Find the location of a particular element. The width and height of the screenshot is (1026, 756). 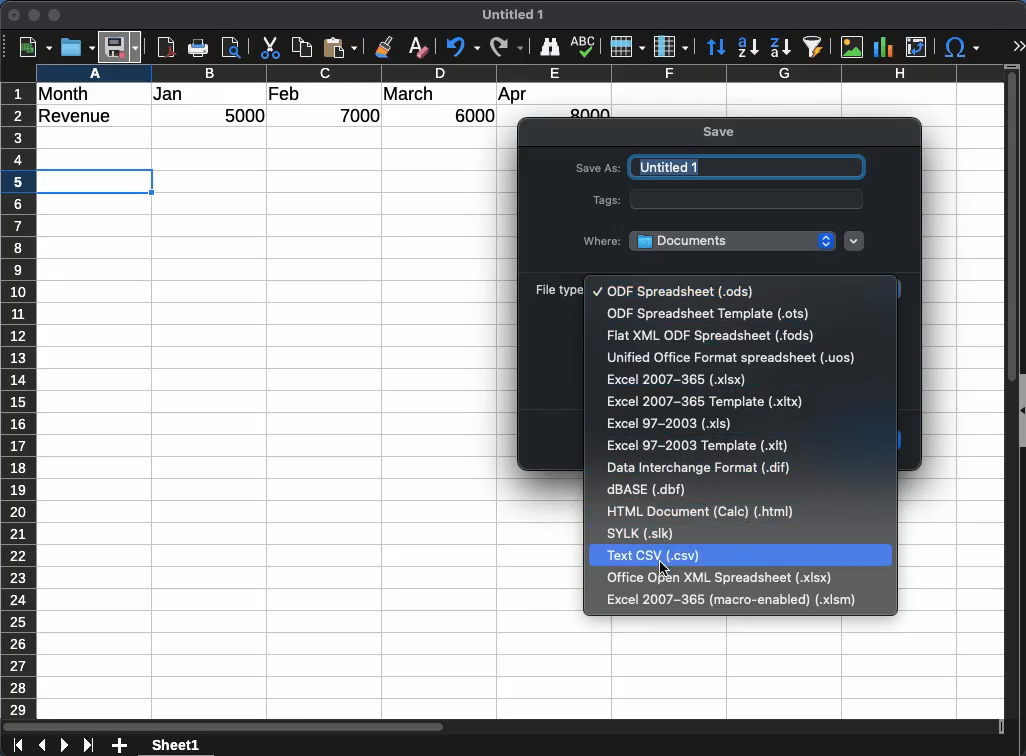

image is located at coordinates (851, 47).